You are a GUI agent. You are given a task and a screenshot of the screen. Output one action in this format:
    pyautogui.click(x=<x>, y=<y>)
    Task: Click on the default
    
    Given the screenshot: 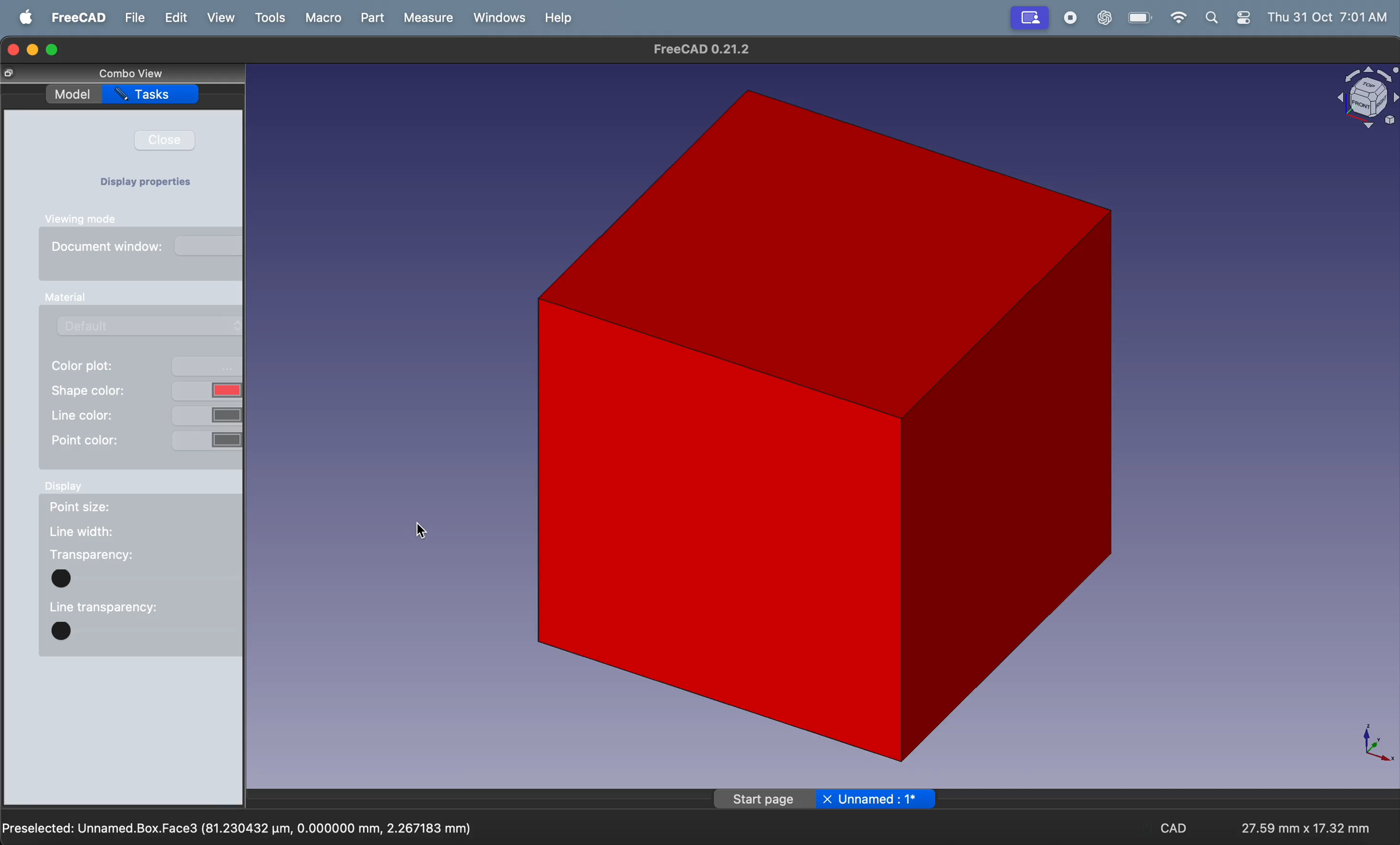 What is the action you would take?
    pyautogui.click(x=155, y=325)
    